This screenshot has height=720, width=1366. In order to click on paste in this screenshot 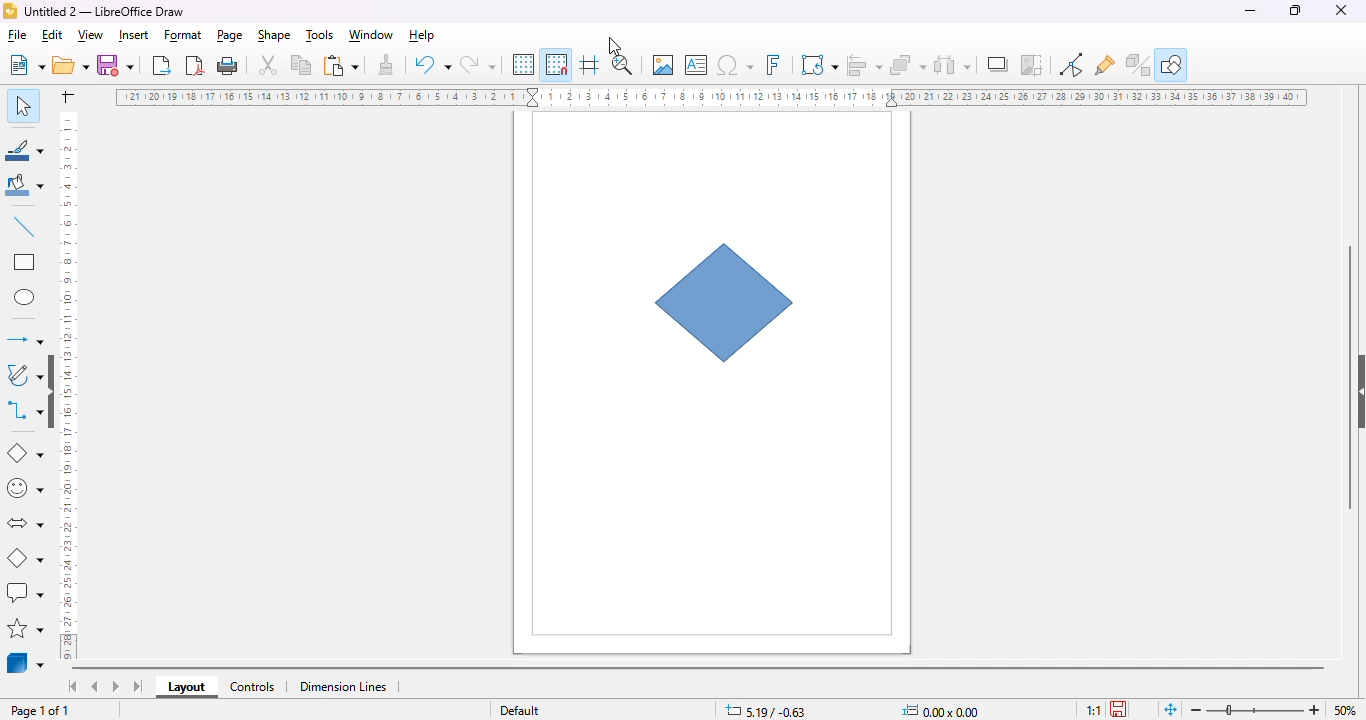, I will do `click(341, 65)`.